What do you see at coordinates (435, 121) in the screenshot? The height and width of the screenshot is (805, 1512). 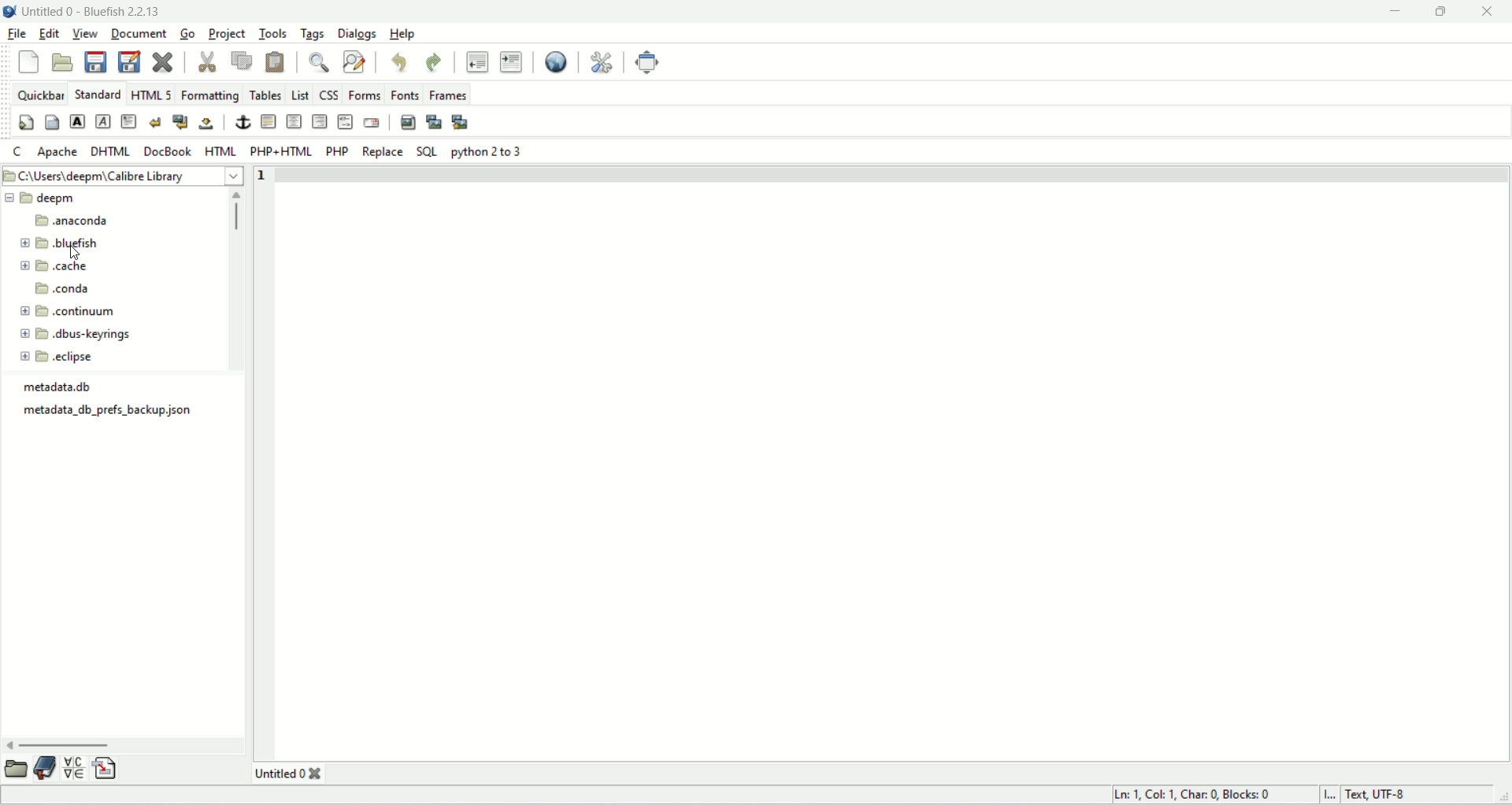 I see `insert thumbnail` at bounding box center [435, 121].